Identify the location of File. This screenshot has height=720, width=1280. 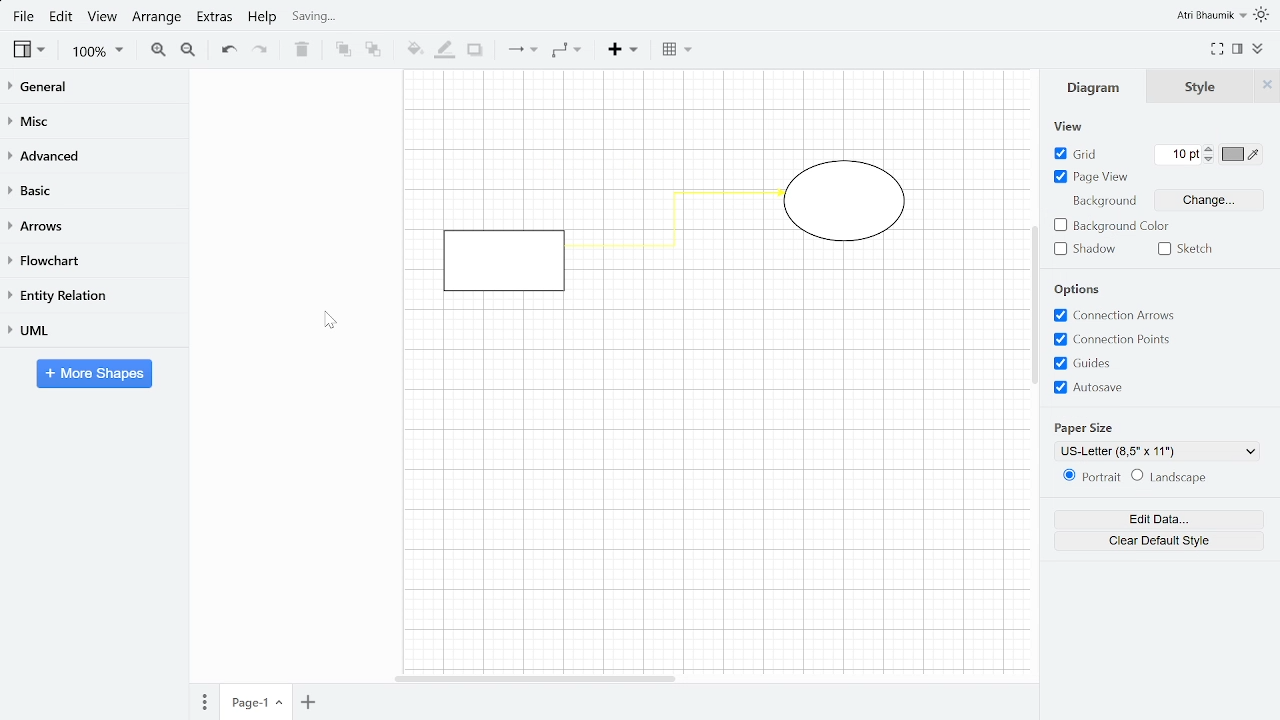
(22, 17).